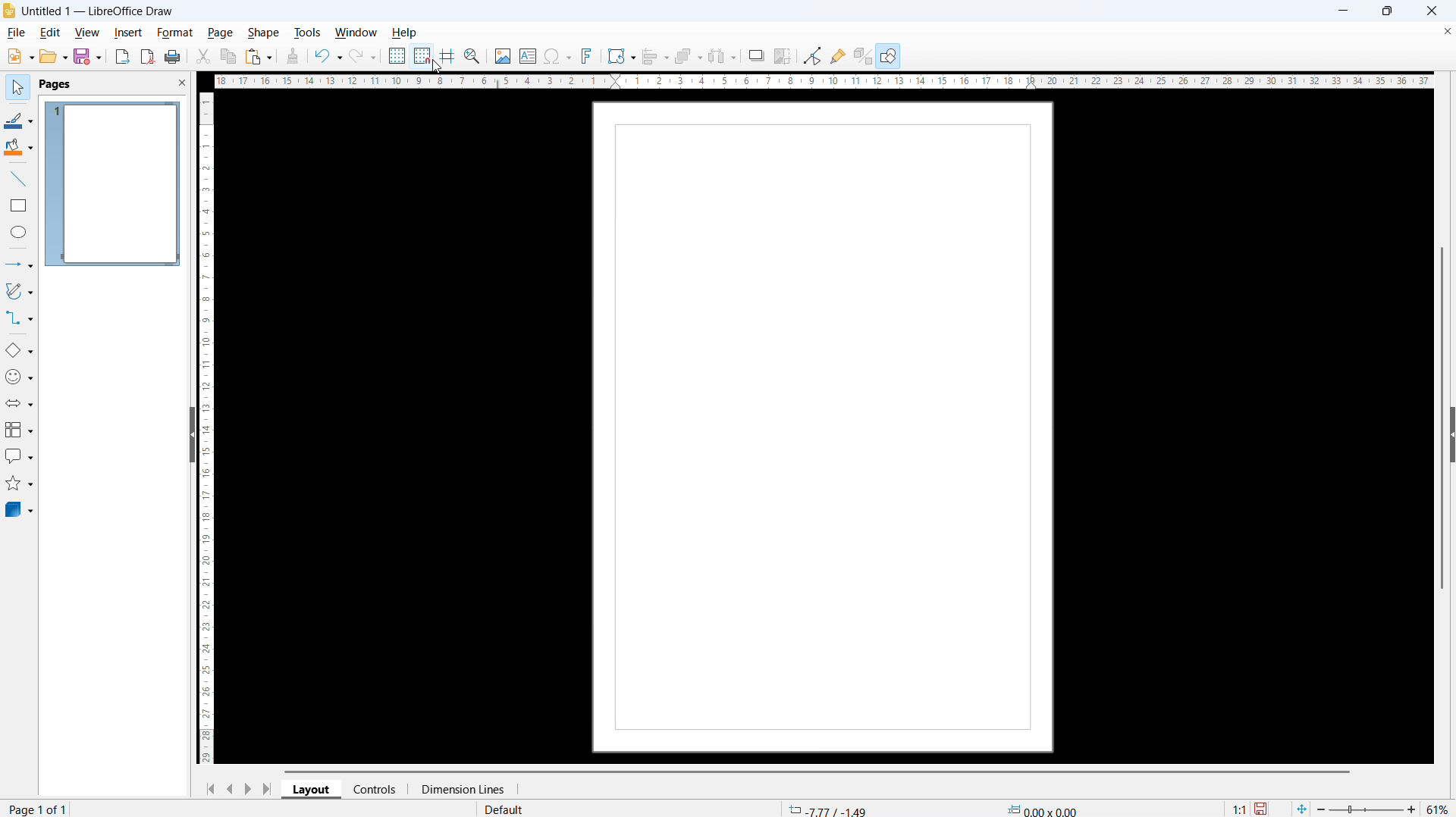 Image resolution: width=1456 pixels, height=817 pixels. What do you see at coordinates (19, 351) in the screenshot?
I see `basic shapes` at bounding box center [19, 351].